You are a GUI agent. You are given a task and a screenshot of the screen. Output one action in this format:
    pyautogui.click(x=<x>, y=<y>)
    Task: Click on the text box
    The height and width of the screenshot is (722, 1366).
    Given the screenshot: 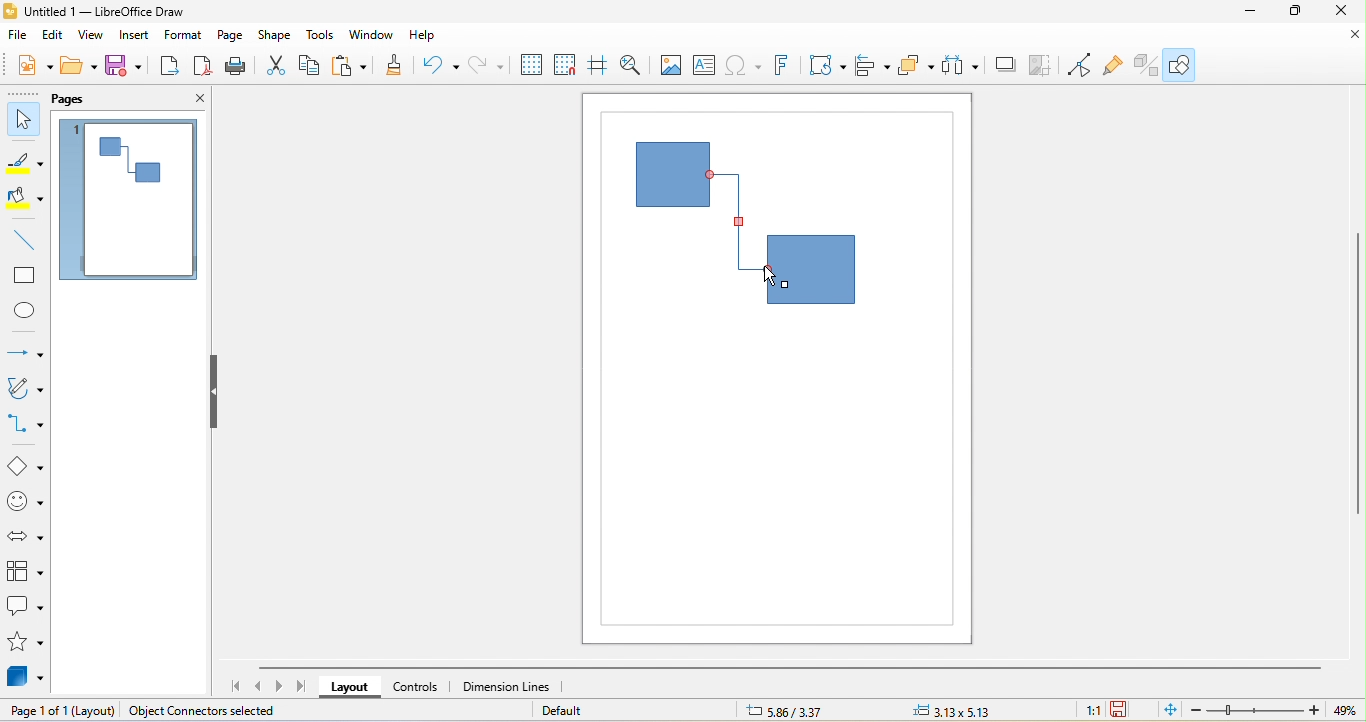 What is the action you would take?
    pyautogui.click(x=704, y=65)
    